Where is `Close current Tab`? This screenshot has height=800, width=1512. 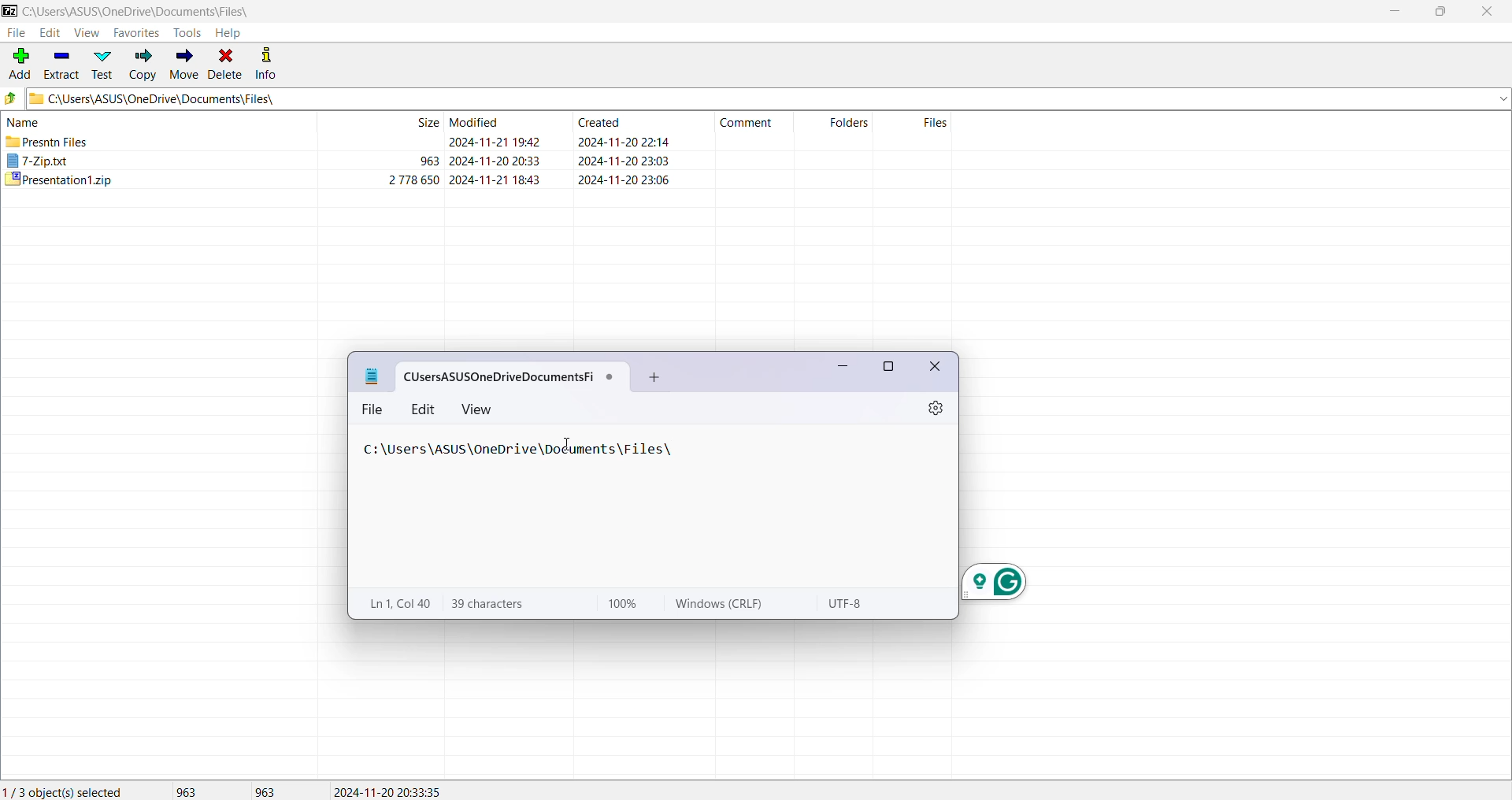 Close current Tab is located at coordinates (611, 377).